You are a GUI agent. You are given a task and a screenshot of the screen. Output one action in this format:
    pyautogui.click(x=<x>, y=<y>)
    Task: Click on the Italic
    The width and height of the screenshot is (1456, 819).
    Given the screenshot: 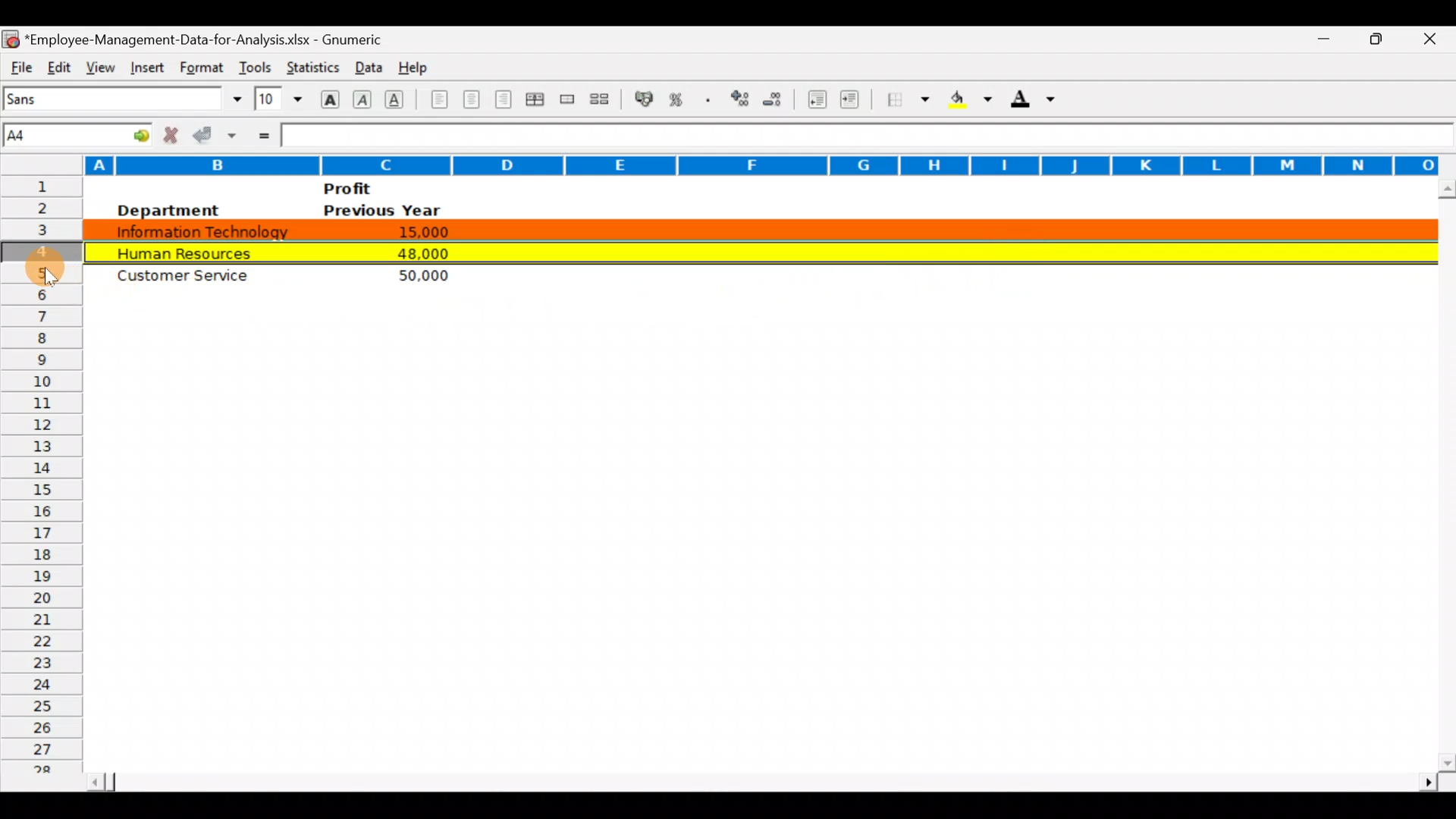 What is the action you would take?
    pyautogui.click(x=362, y=101)
    